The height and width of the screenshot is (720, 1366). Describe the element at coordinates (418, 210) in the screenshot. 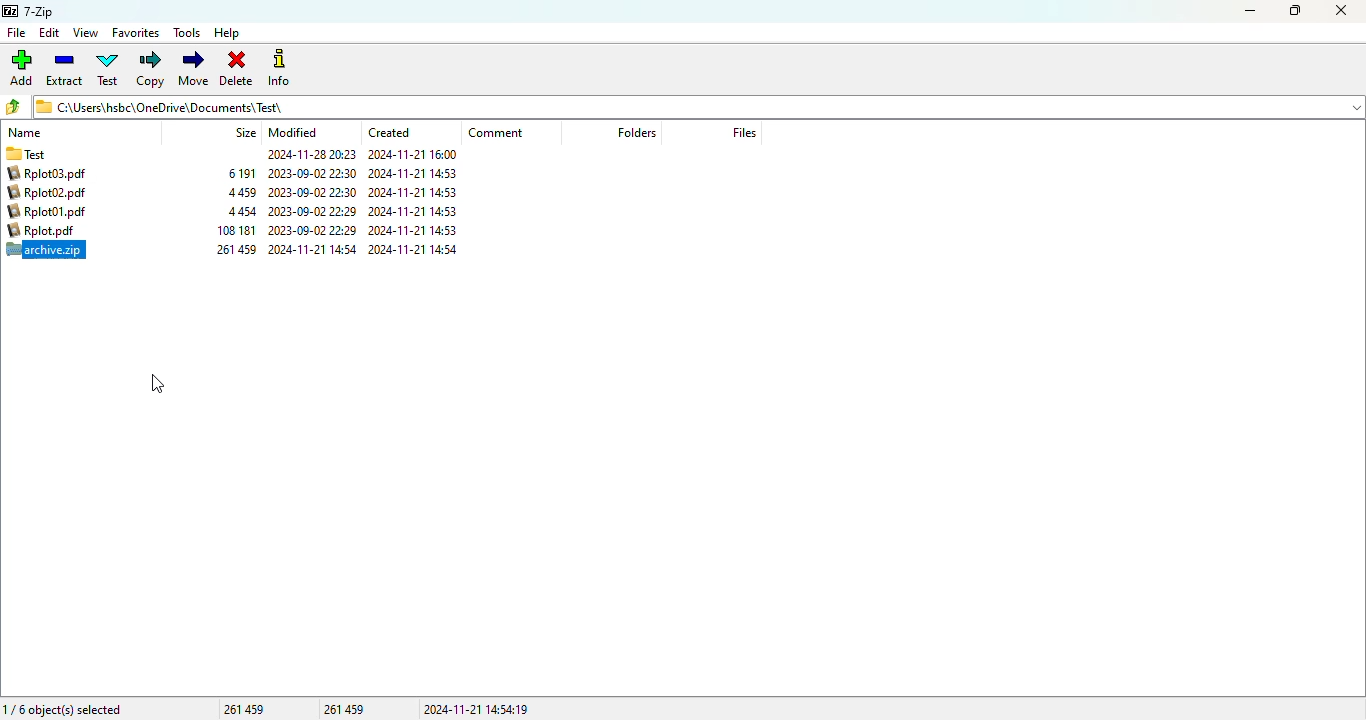

I see `2024-11-21 14:53` at that location.